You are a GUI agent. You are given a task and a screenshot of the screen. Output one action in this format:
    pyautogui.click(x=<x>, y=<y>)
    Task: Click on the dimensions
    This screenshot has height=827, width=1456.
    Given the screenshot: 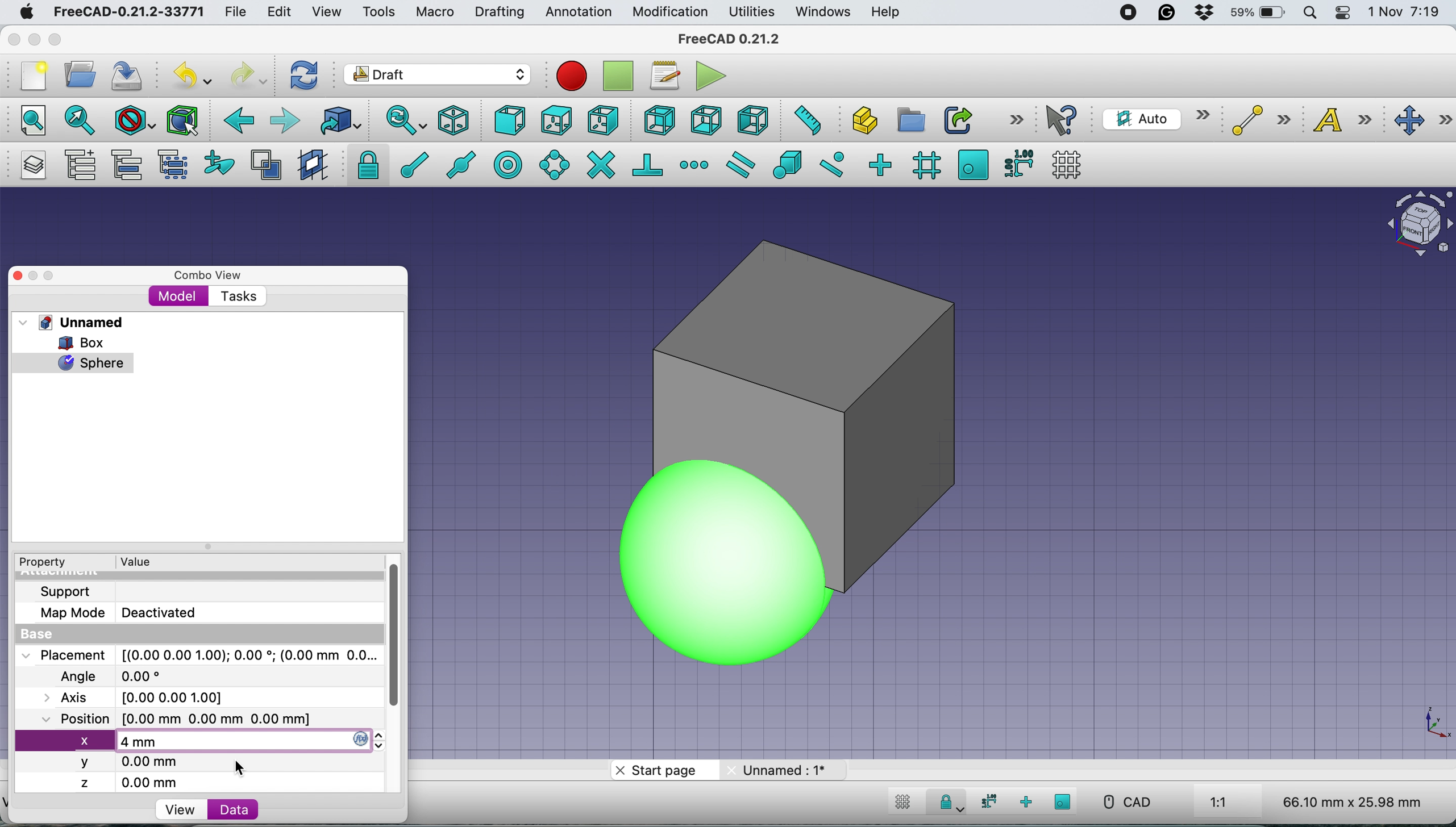 What is the action you would take?
    pyautogui.click(x=1349, y=801)
    